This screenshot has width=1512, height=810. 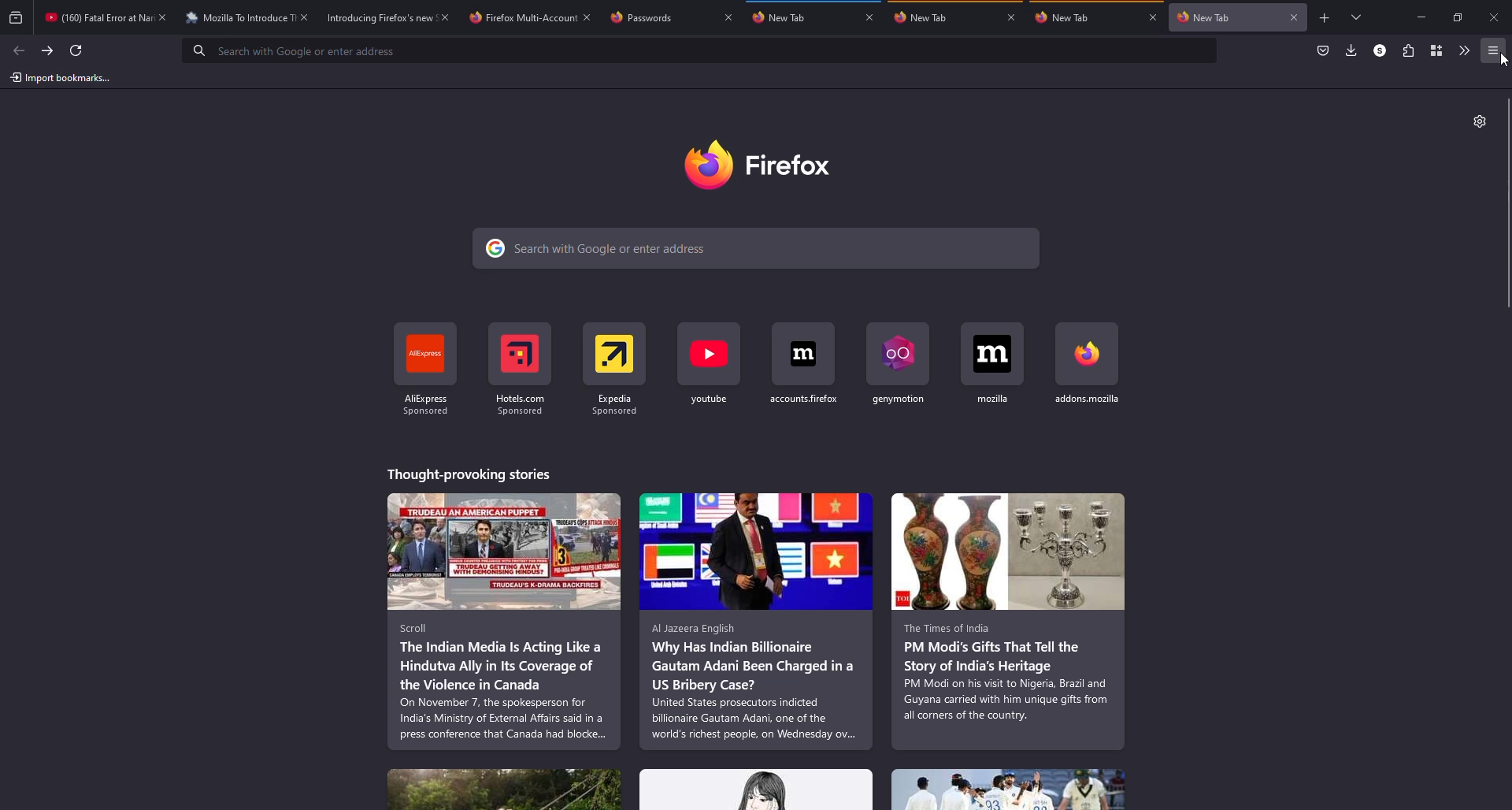 What do you see at coordinates (1061, 17) in the screenshot?
I see `tab` at bounding box center [1061, 17].